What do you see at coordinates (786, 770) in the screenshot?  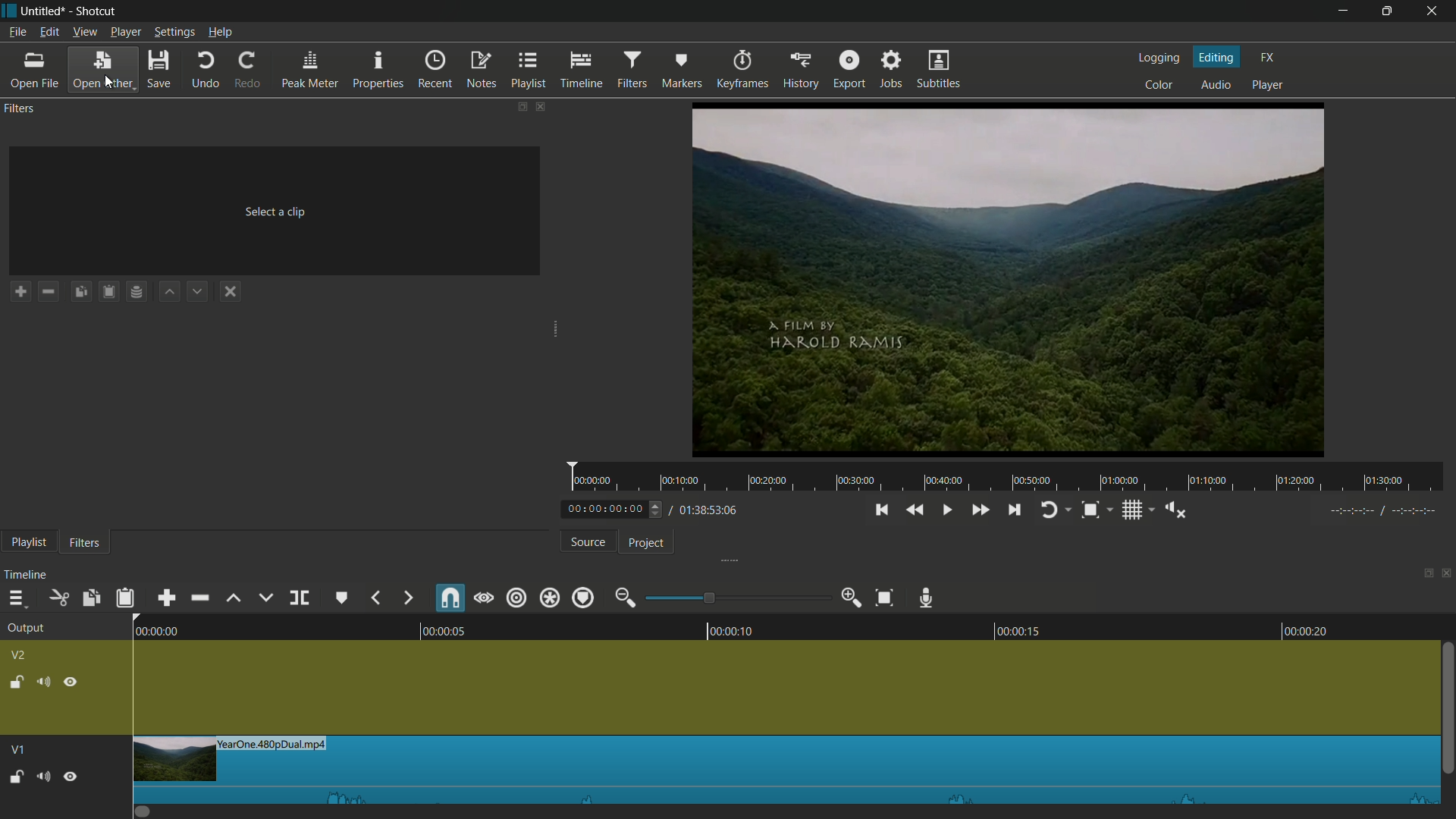 I see `imported file in timeline` at bounding box center [786, 770].